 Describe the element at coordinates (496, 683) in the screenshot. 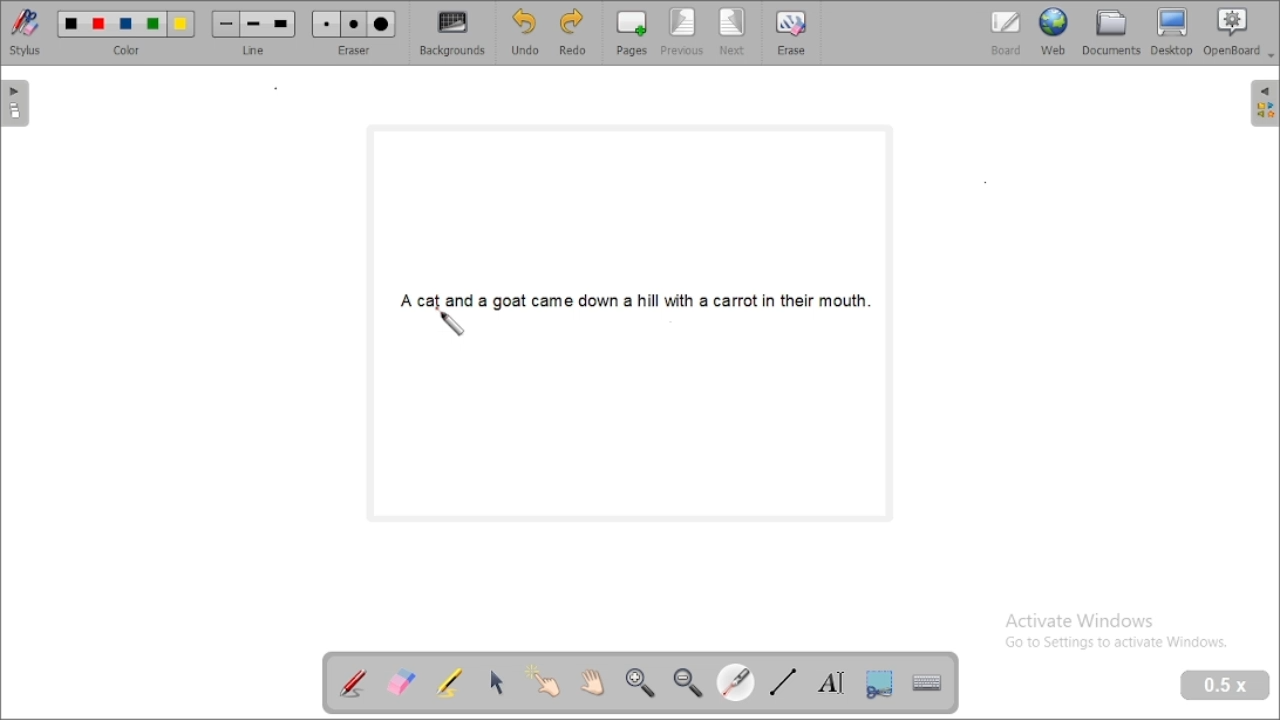

I see `select and modify objects` at that location.